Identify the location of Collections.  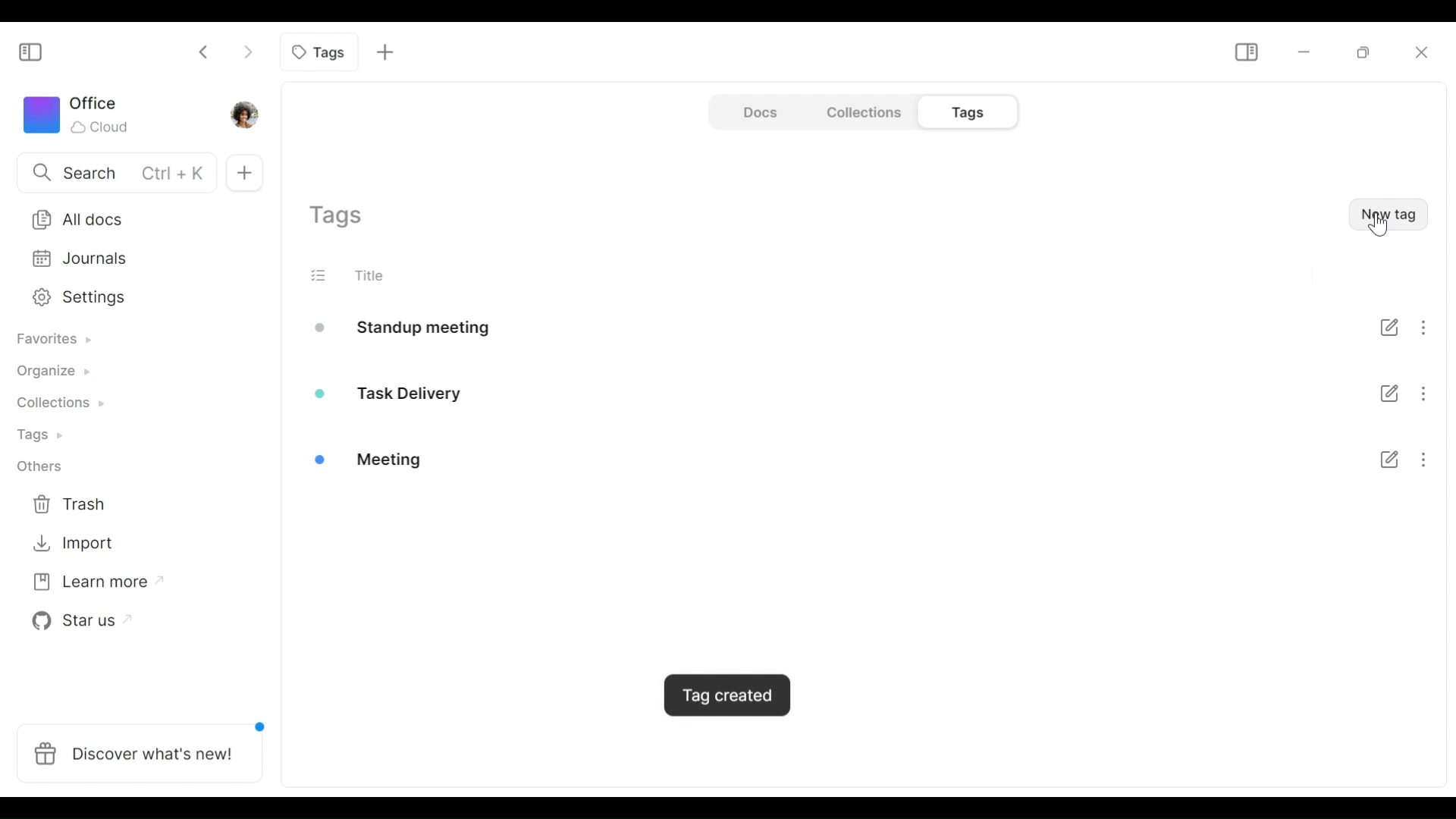
(54, 407).